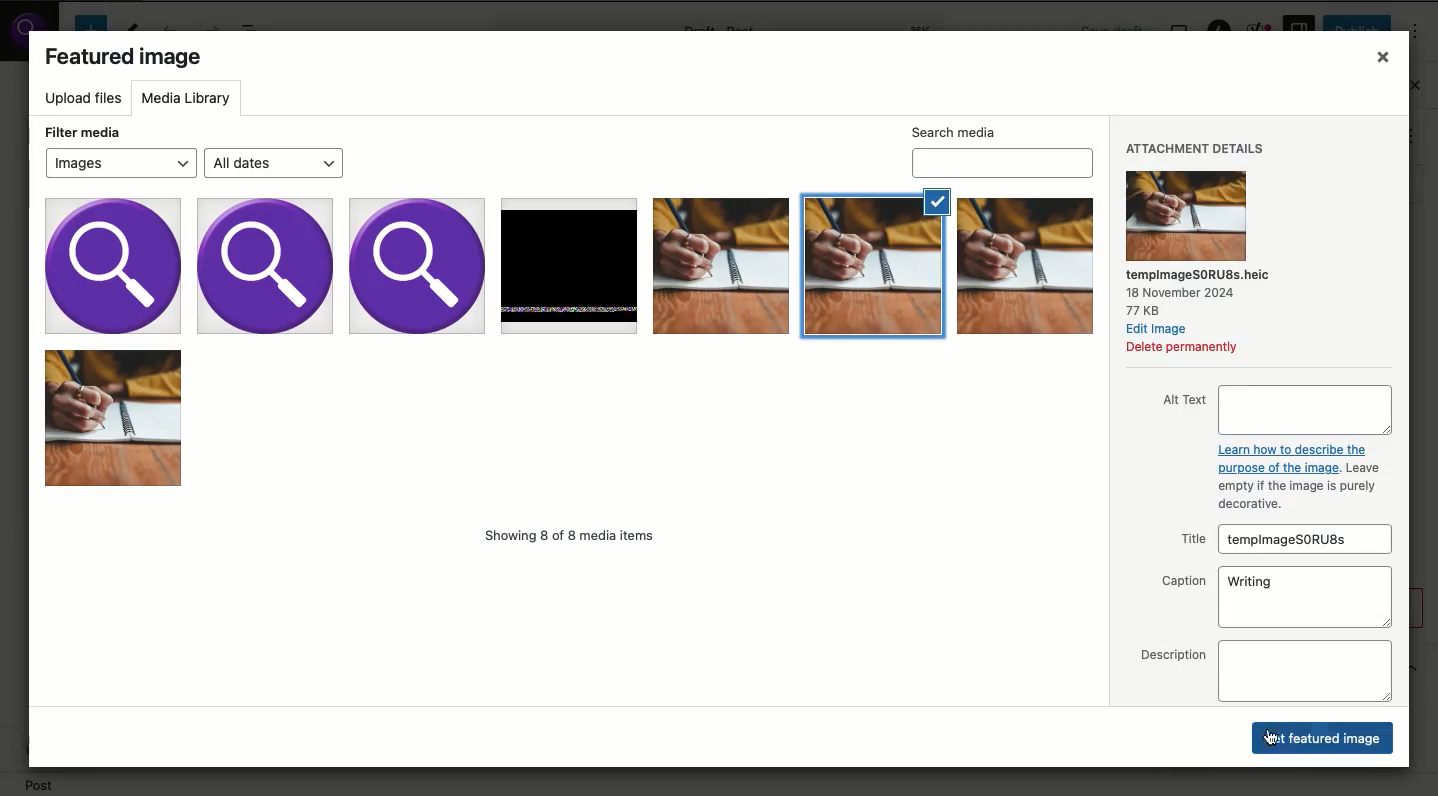 This screenshot has width=1438, height=796. What do you see at coordinates (1198, 151) in the screenshot?
I see `Attachment details` at bounding box center [1198, 151].